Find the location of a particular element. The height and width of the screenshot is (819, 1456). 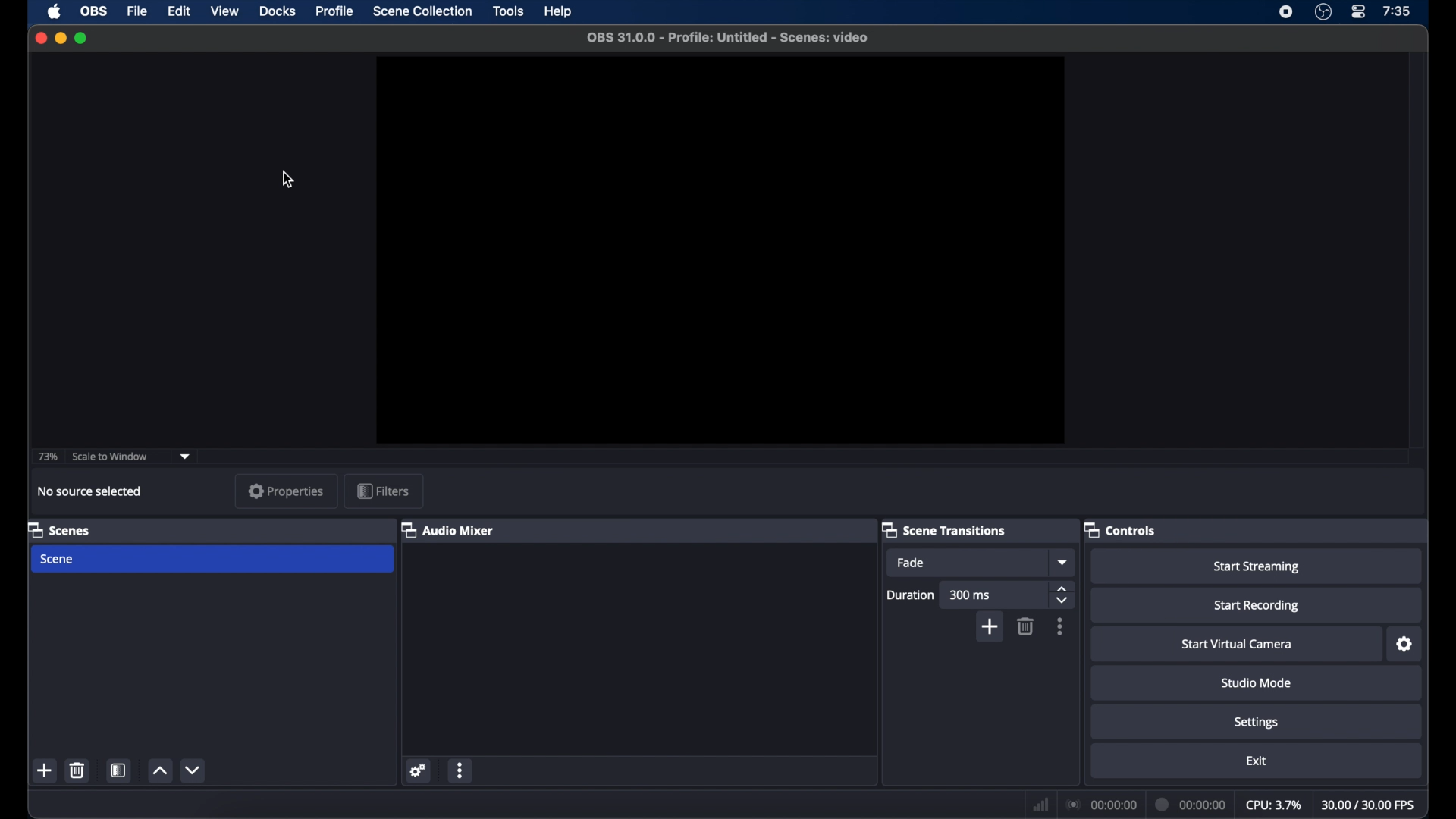

screen recorder icon is located at coordinates (1287, 12).